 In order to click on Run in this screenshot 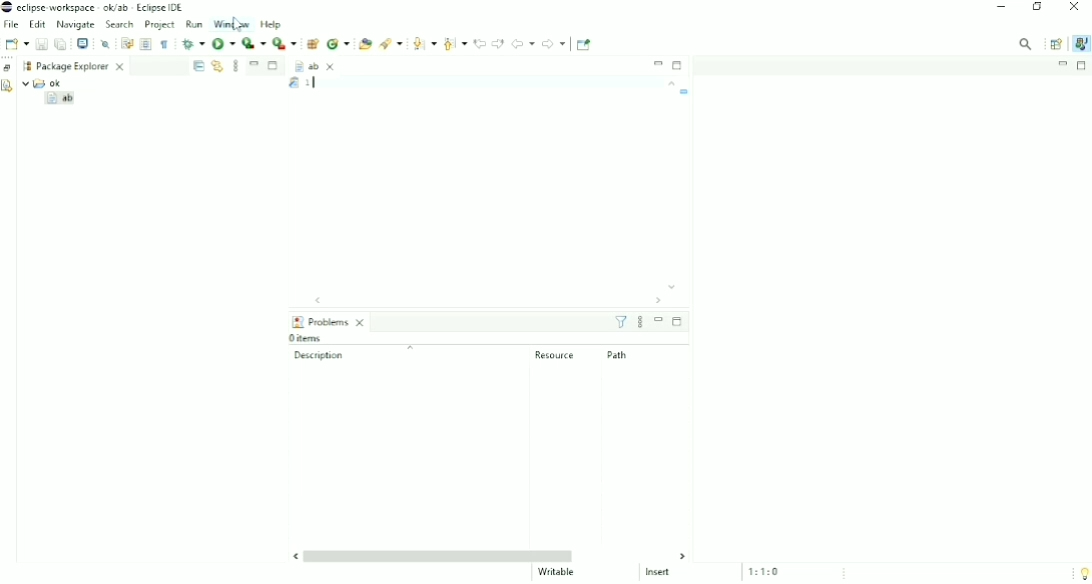, I will do `click(195, 24)`.